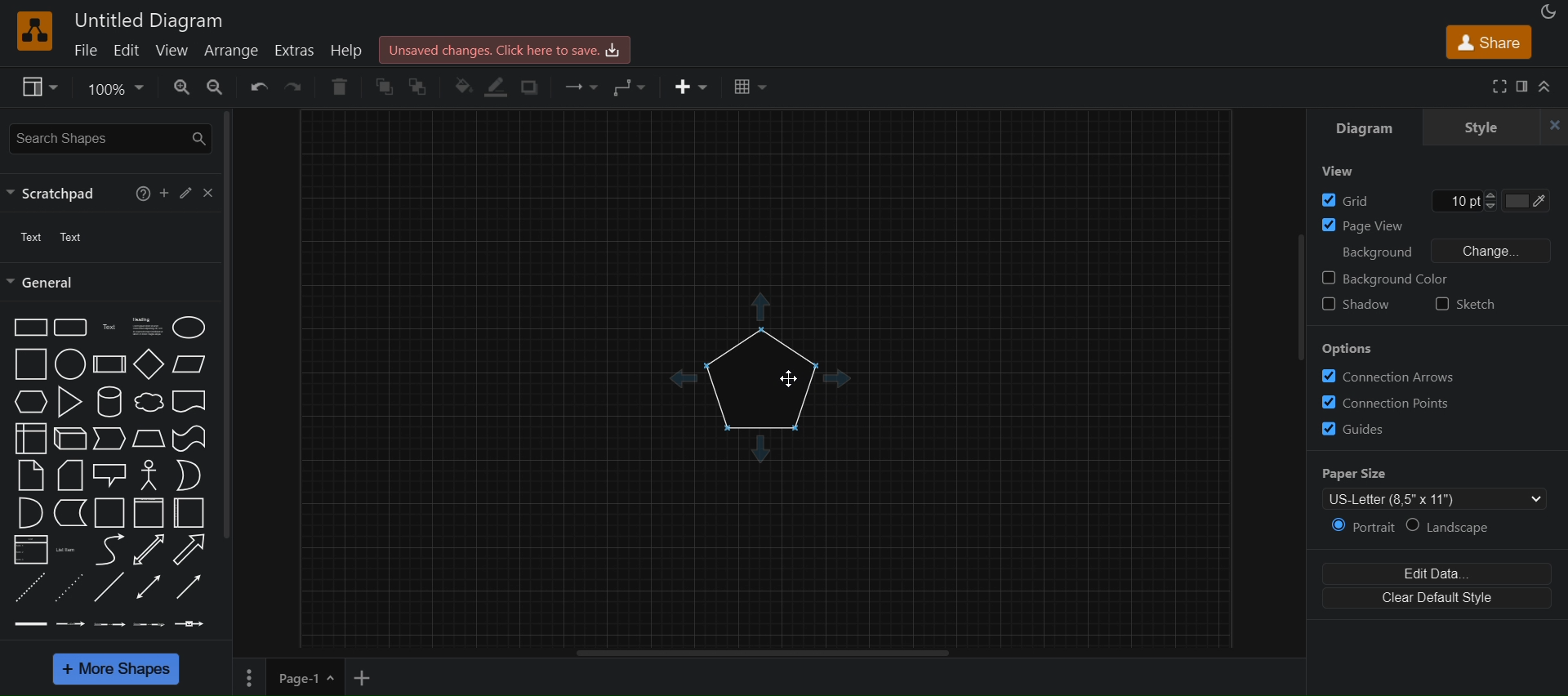  What do you see at coordinates (109, 364) in the screenshot?
I see `Process` at bounding box center [109, 364].